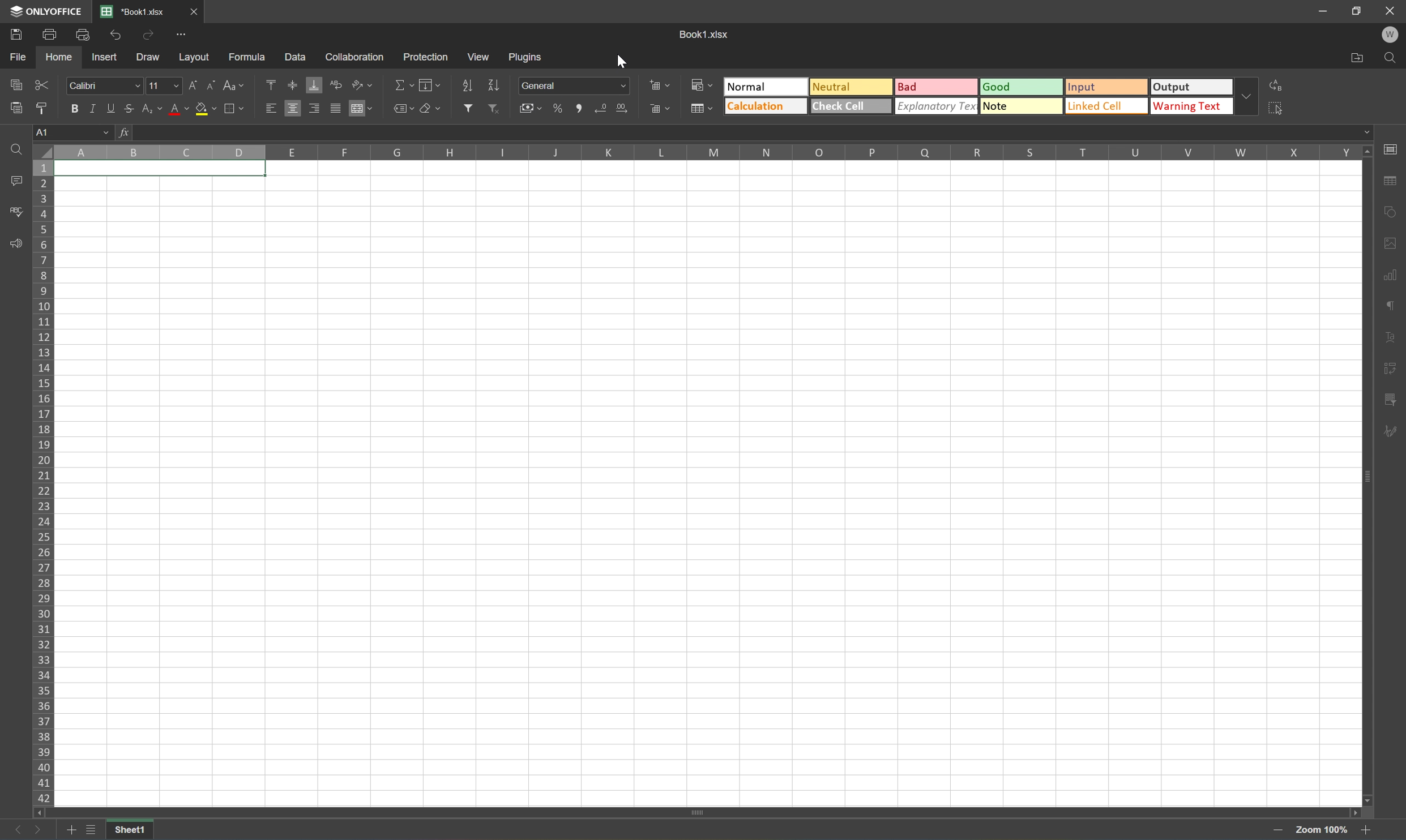 This screenshot has height=840, width=1406. I want to click on Merge and  center, so click(362, 111).